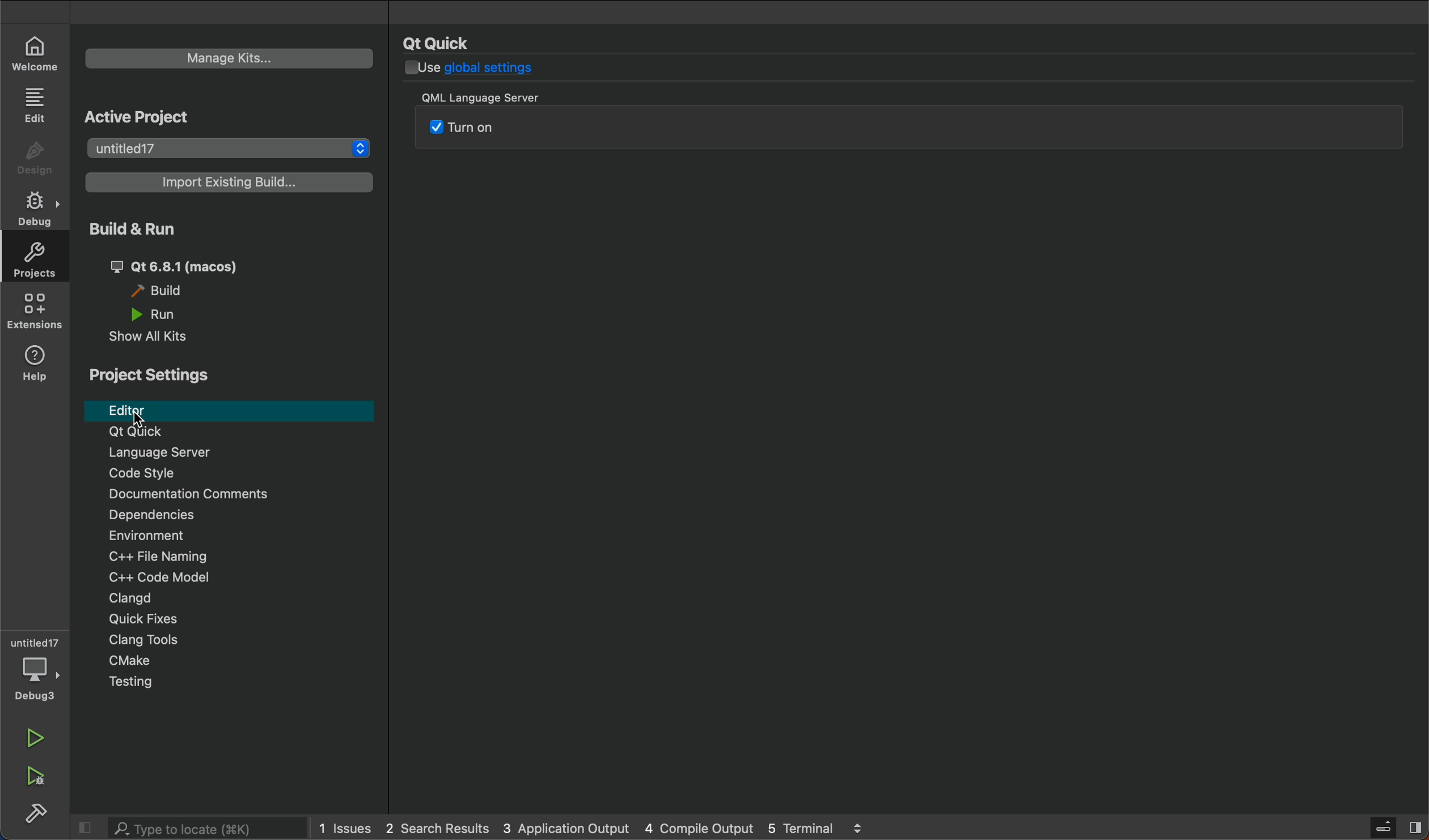 The width and height of the screenshot is (1429, 840). Describe the element at coordinates (35, 311) in the screenshot. I see `extension` at that location.